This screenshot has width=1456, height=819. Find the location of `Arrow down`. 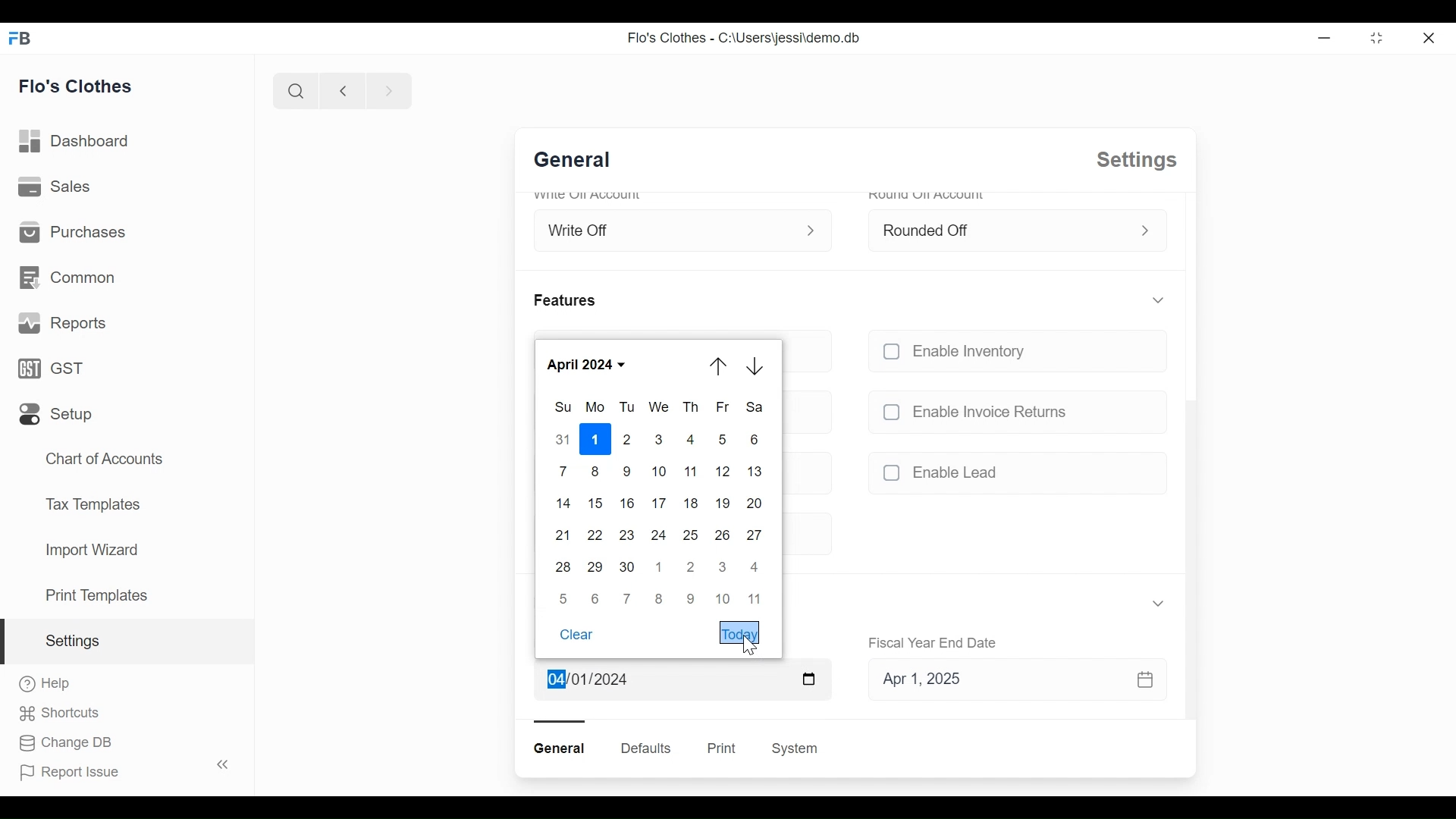

Arrow down is located at coordinates (756, 367).